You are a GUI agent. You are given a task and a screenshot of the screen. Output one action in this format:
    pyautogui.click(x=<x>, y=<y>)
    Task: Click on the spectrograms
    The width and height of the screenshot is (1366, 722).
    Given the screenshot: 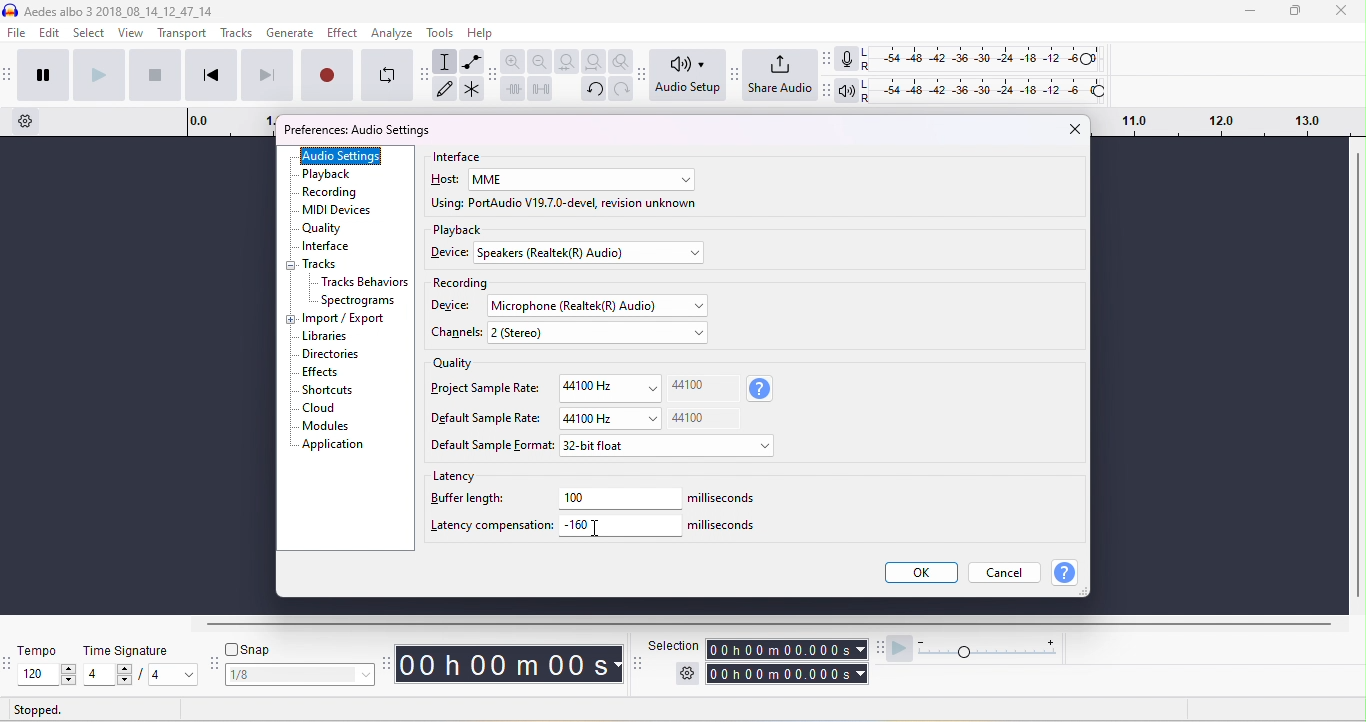 What is the action you would take?
    pyautogui.click(x=359, y=301)
    